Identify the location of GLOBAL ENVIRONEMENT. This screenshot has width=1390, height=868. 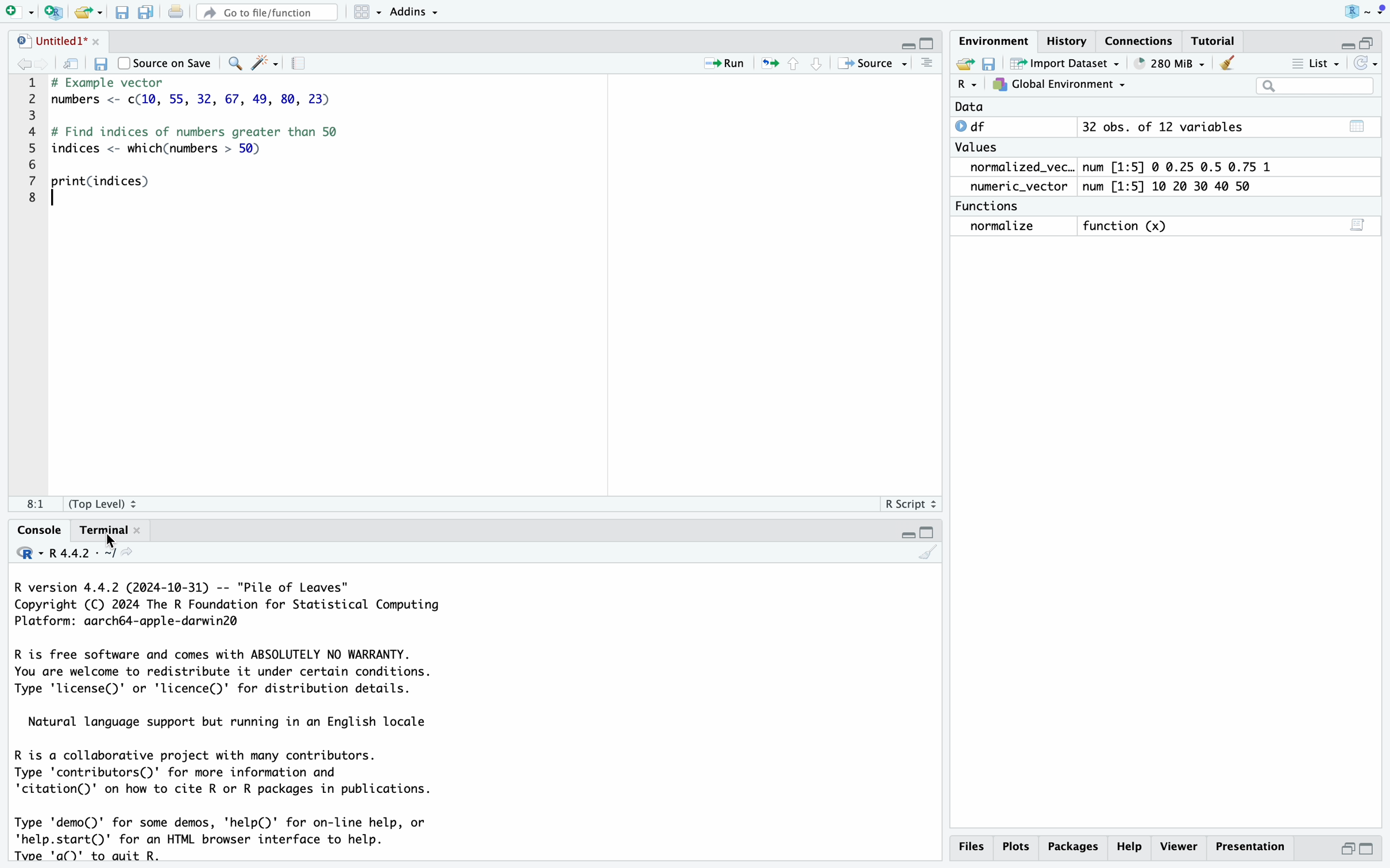
(1059, 87).